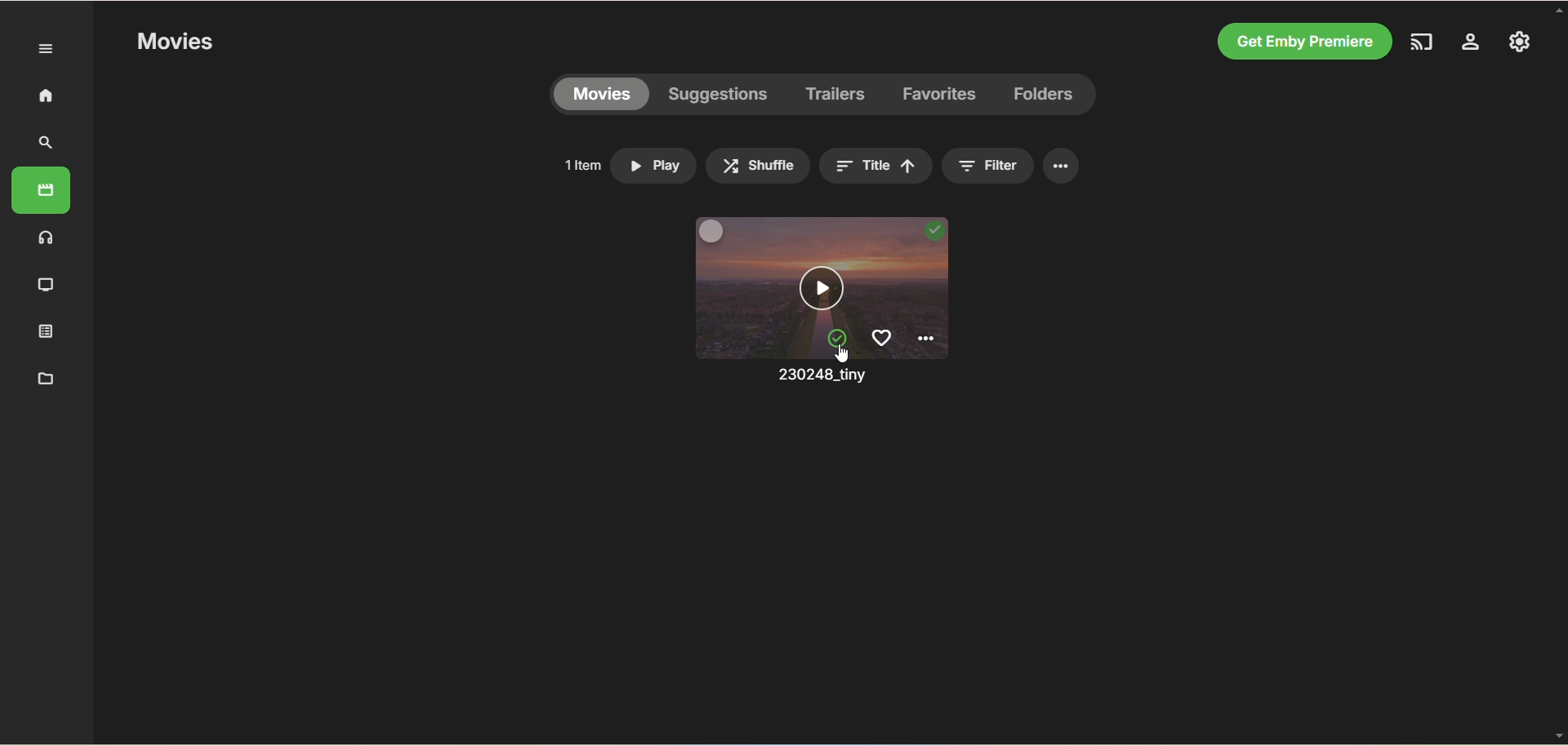  I want to click on manage emby server, so click(1468, 42).